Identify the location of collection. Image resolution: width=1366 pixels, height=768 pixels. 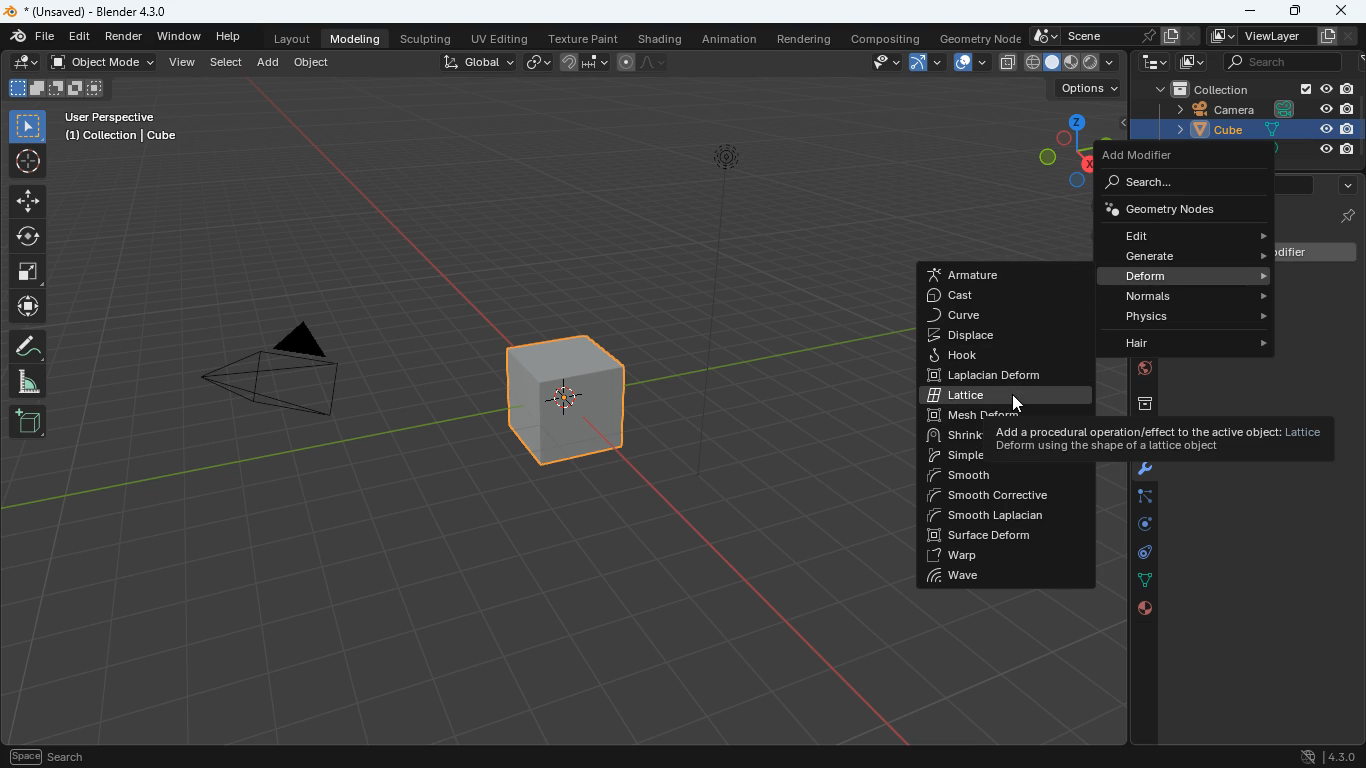
(1252, 89).